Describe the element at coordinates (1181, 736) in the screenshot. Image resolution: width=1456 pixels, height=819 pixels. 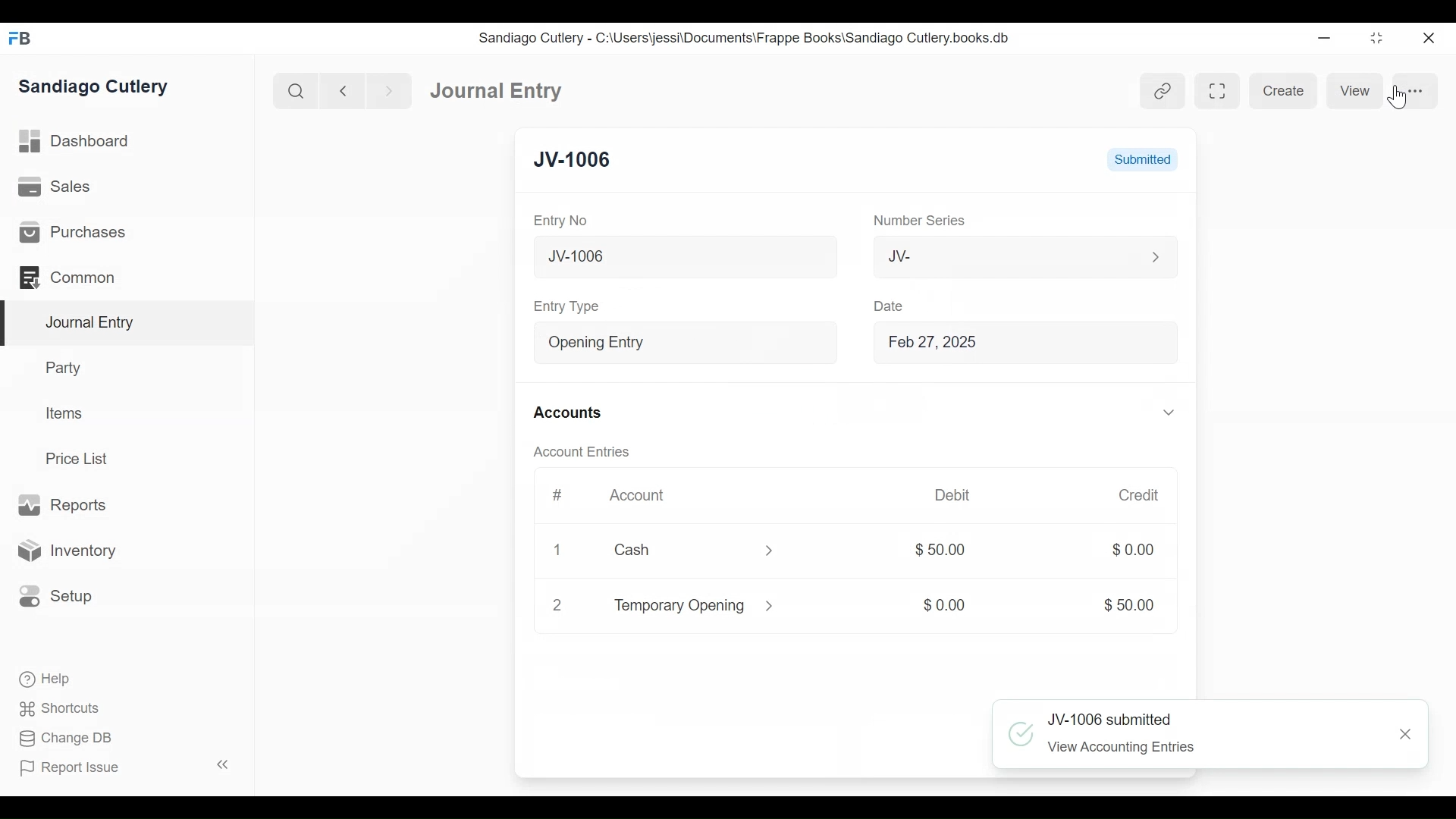
I see `JV-1006 submitted View Accounting Entries` at that location.